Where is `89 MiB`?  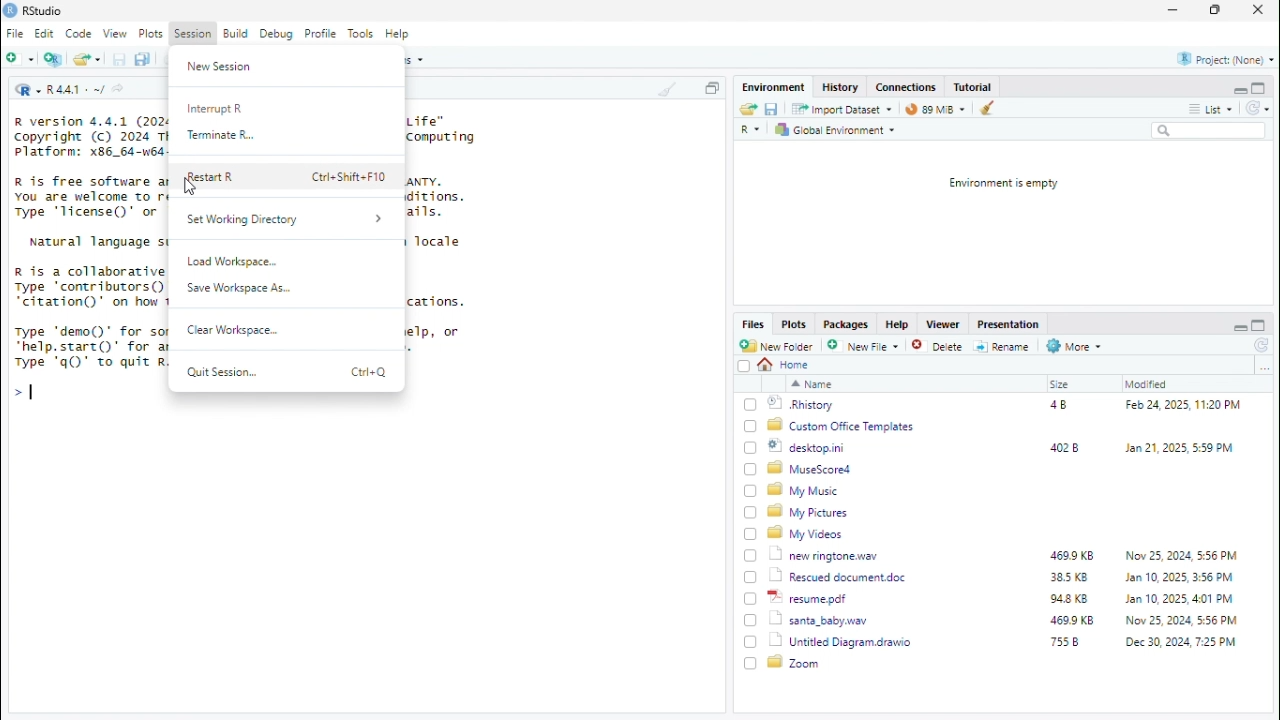 89 MiB is located at coordinates (935, 108).